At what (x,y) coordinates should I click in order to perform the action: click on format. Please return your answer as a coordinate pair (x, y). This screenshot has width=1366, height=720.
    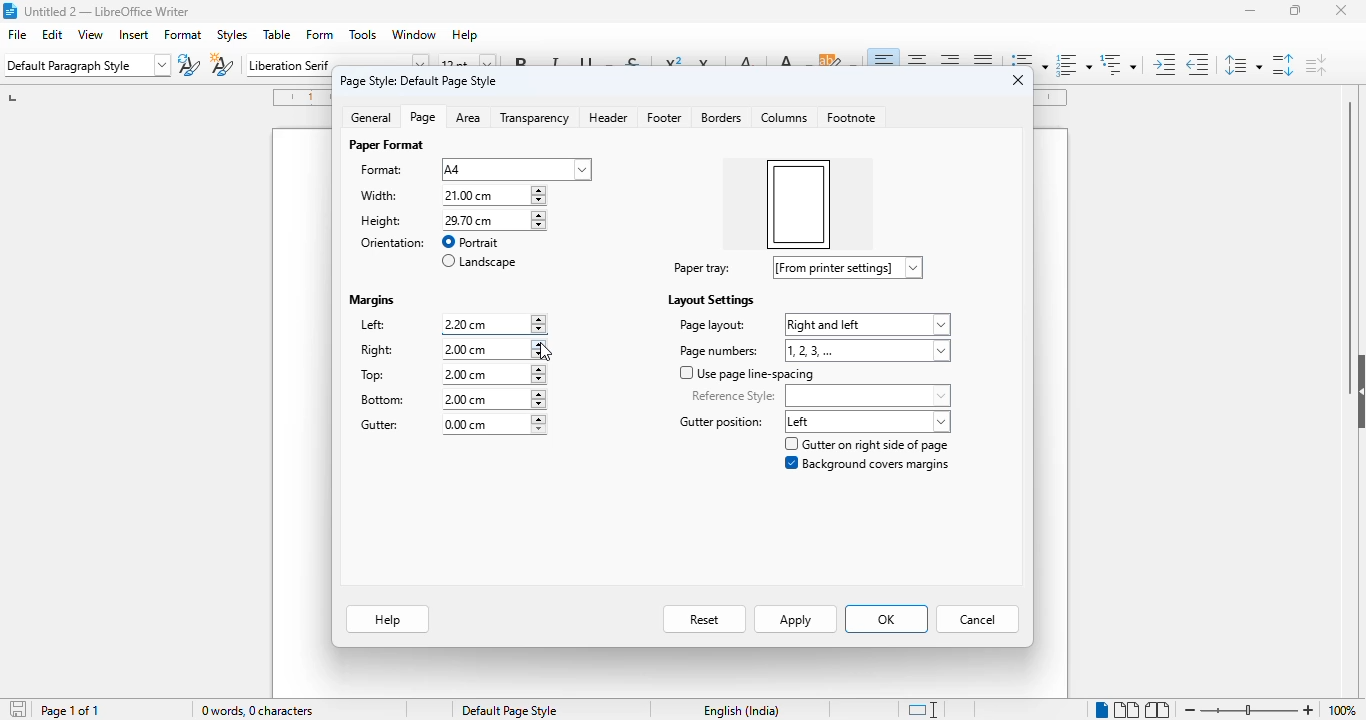
    Looking at the image, I should click on (184, 34).